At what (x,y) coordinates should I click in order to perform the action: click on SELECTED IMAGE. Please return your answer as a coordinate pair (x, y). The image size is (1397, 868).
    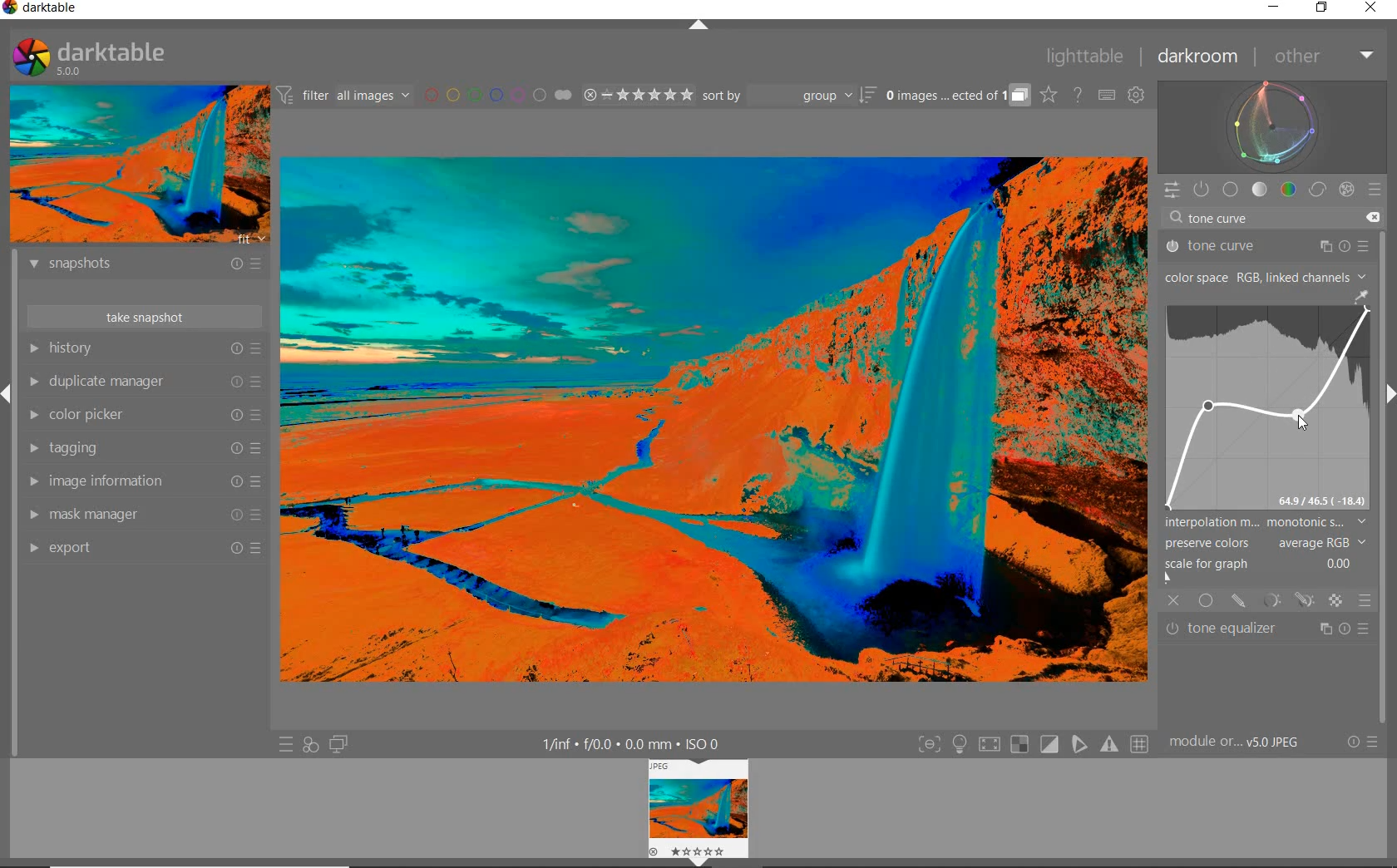
    Looking at the image, I should click on (711, 417).